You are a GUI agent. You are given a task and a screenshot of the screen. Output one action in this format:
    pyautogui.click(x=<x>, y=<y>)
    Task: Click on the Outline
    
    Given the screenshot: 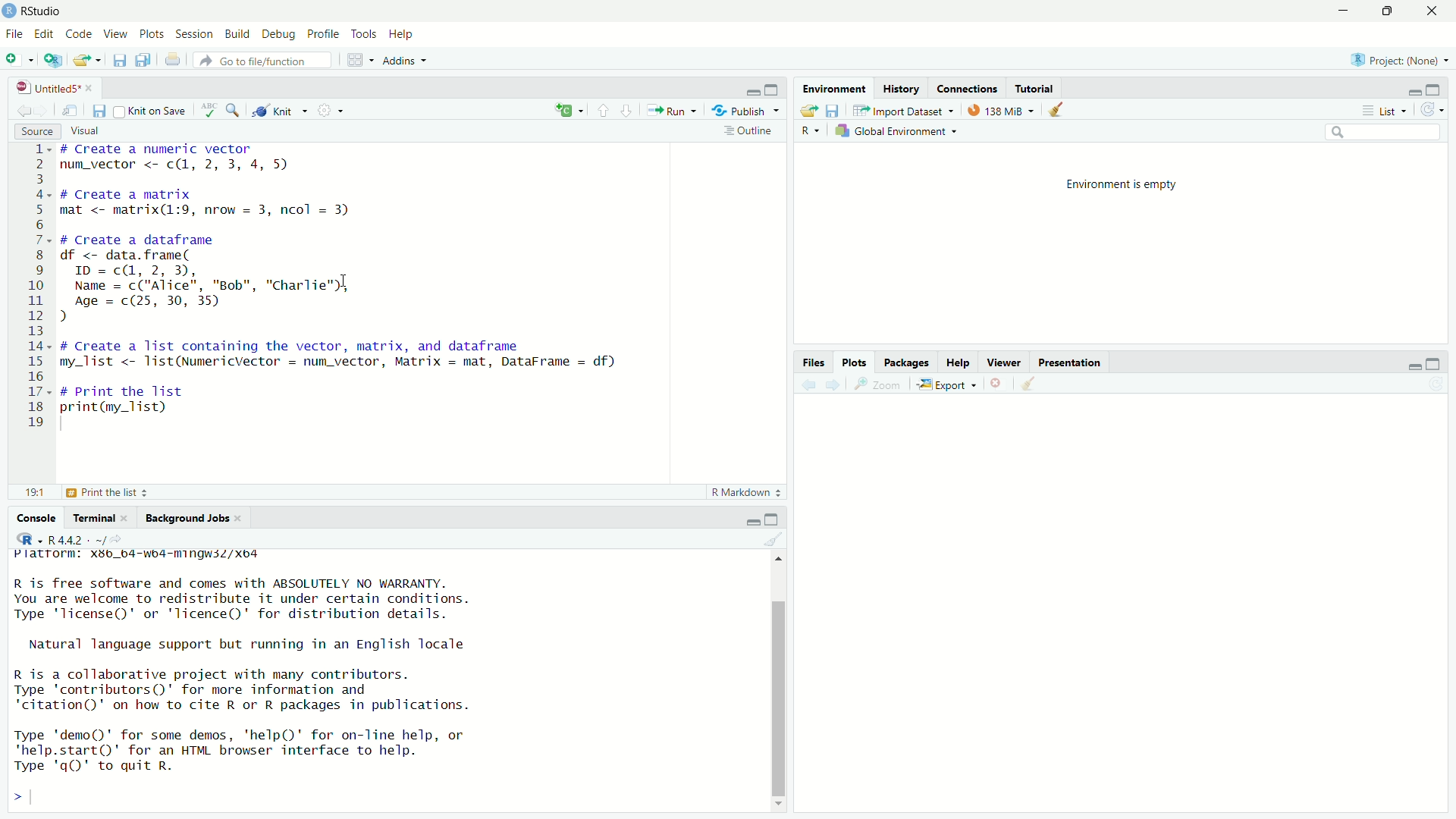 What is the action you would take?
    pyautogui.click(x=749, y=133)
    